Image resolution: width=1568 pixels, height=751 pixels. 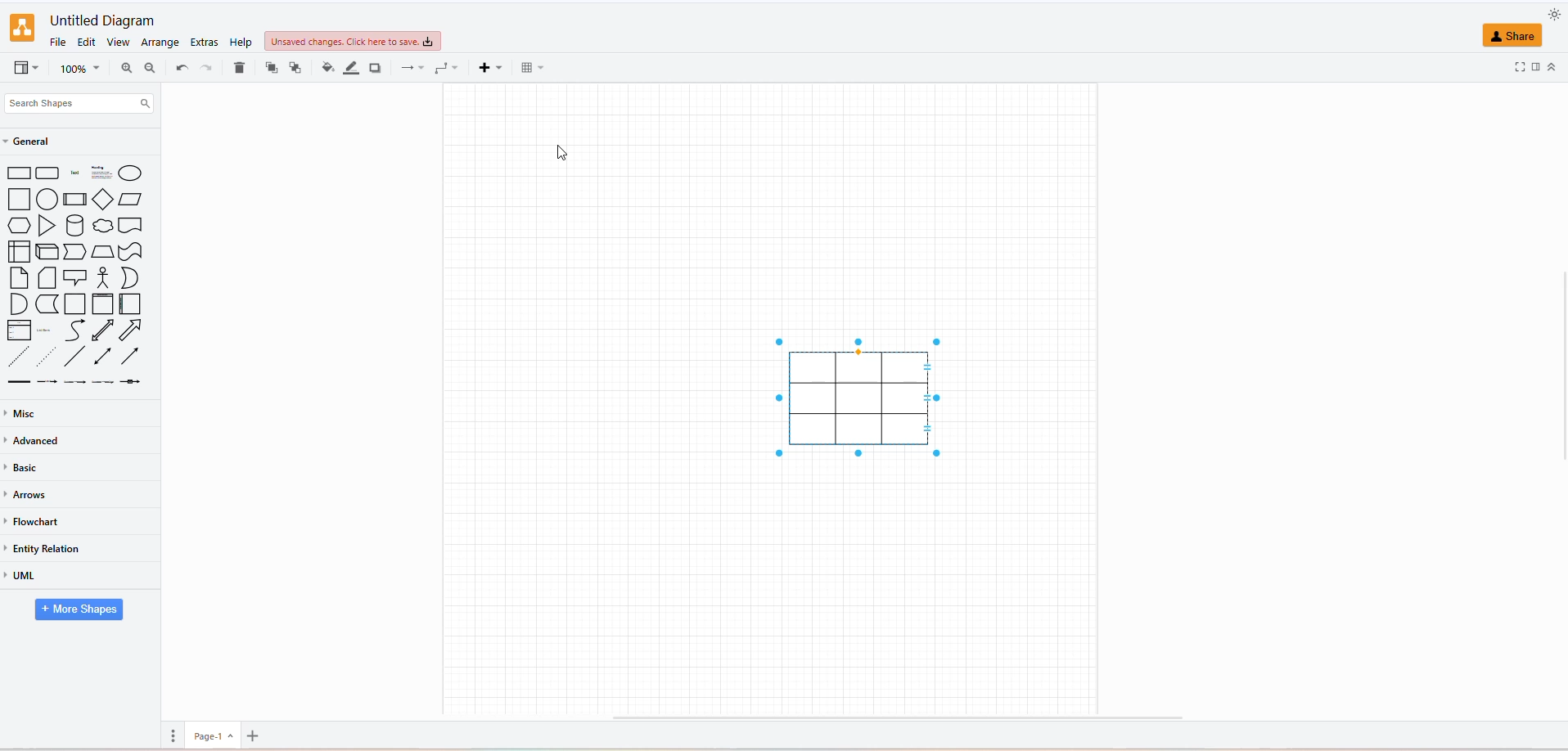 I want to click on table, so click(x=531, y=68).